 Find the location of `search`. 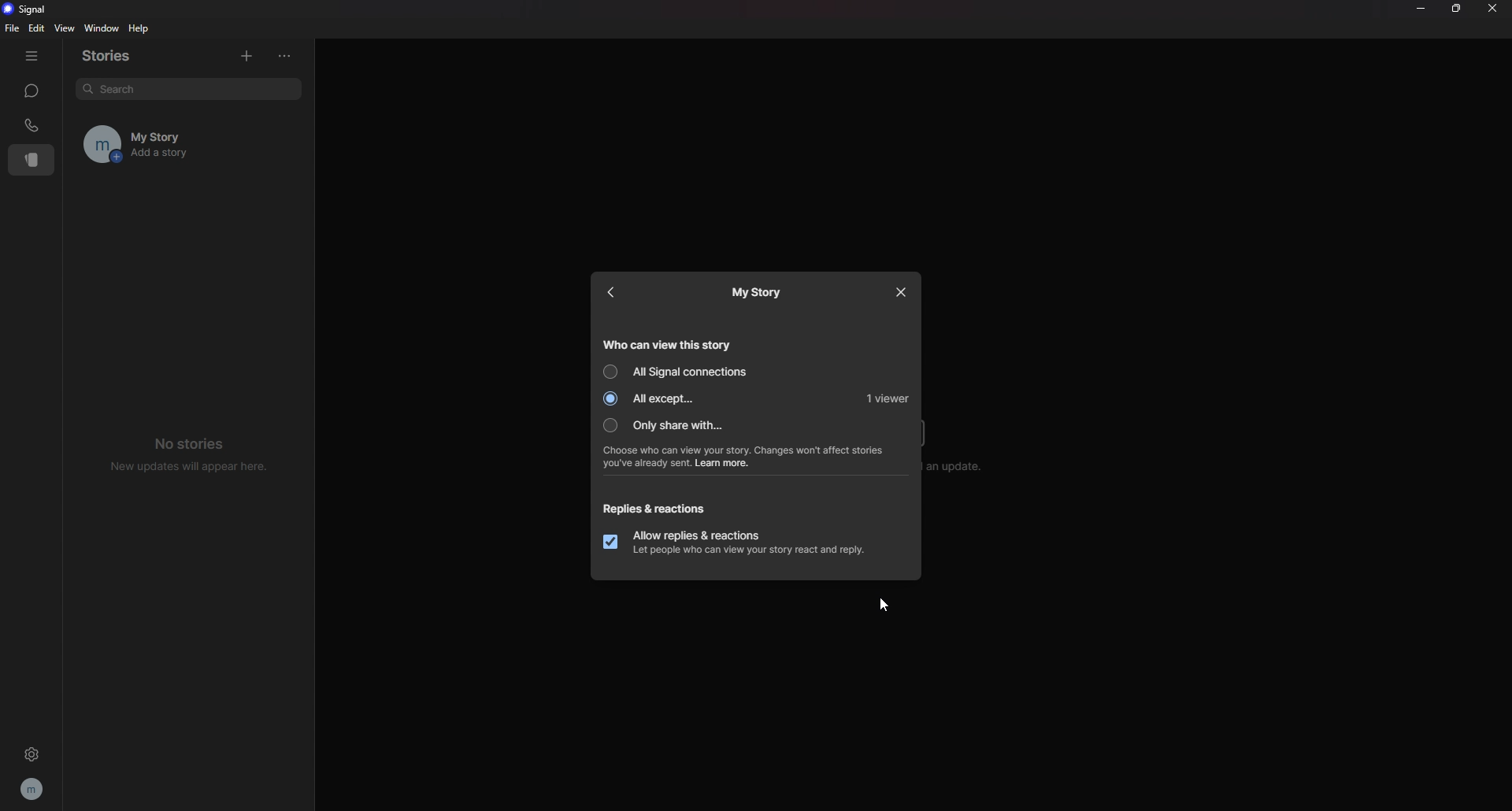

search is located at coordinates (188, 89).